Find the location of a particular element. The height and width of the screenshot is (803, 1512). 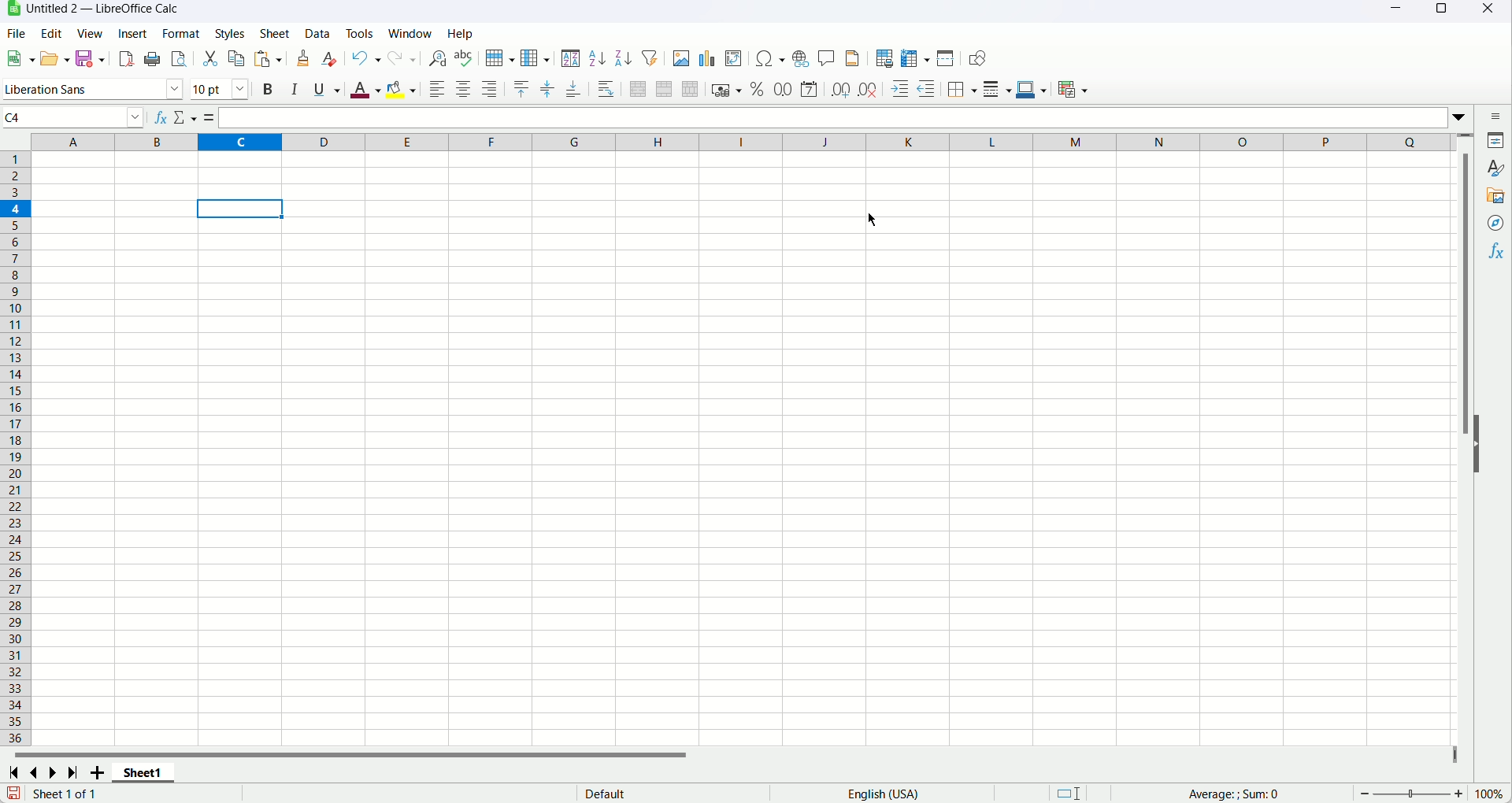

Column is located at coordinates (535, 58).